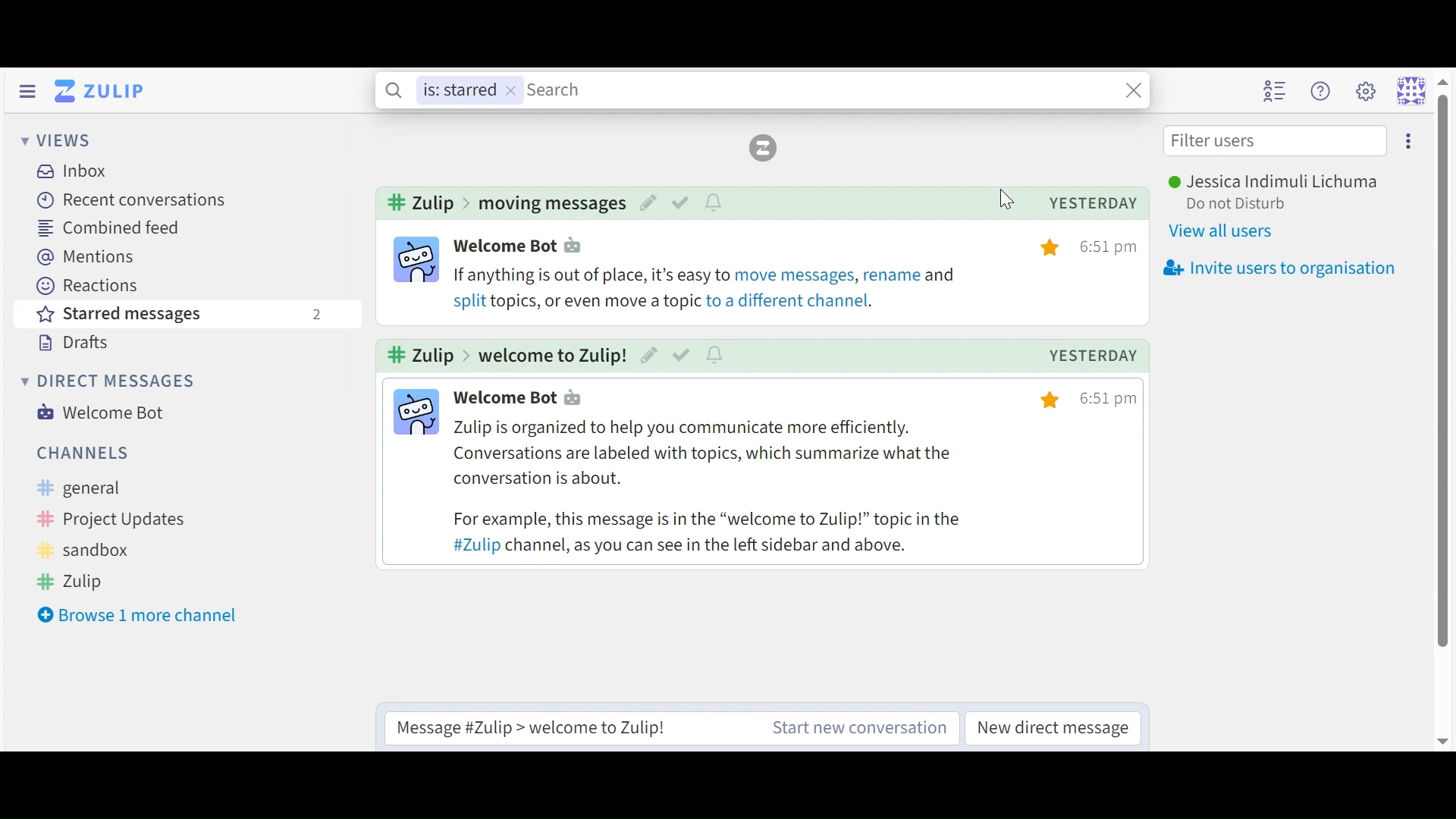 Image resolution: width=1456 pixels, height=819 pixels. I want to click on Hide user list, so click(1277, 91).